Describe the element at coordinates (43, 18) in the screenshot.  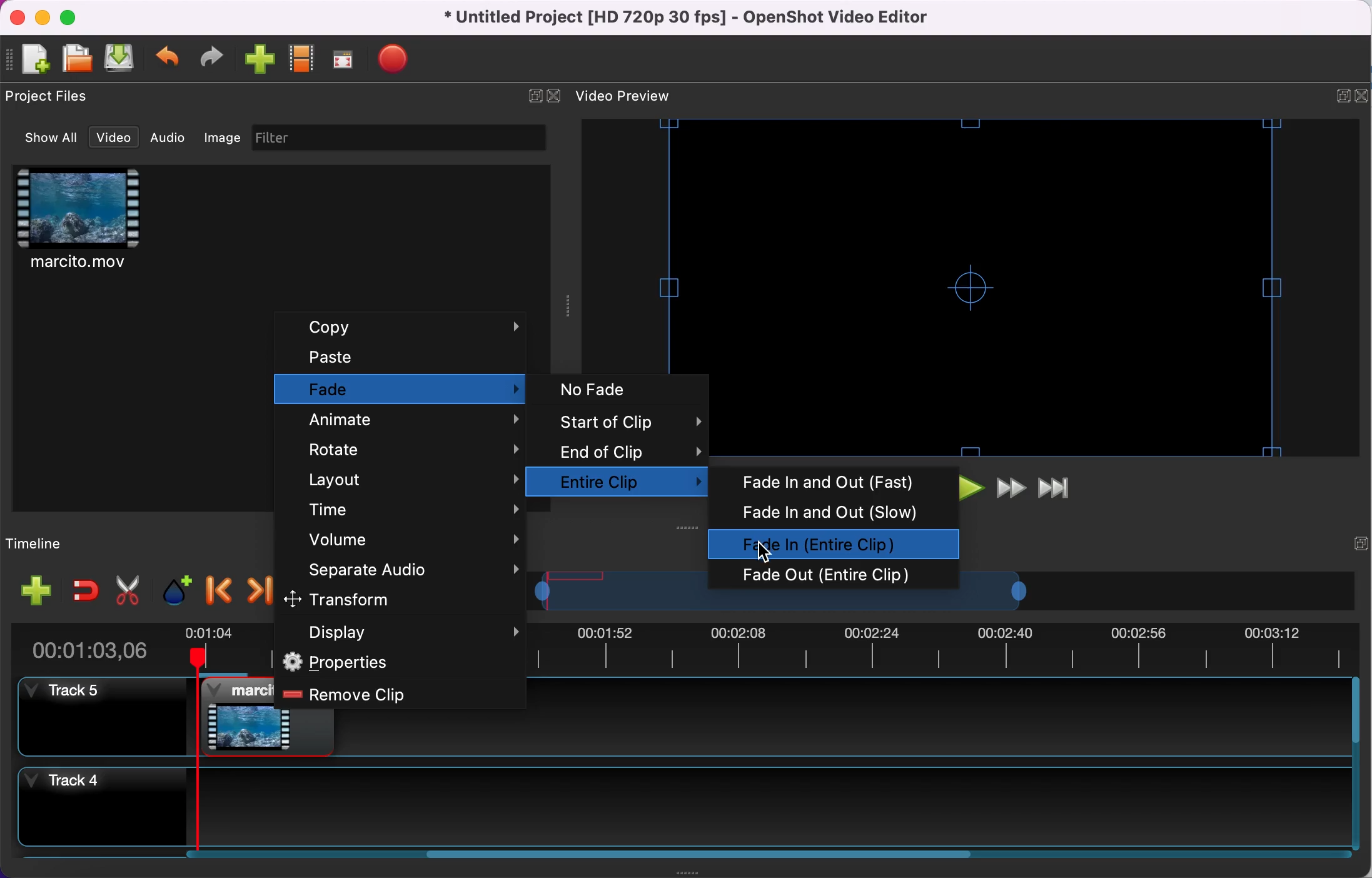
I see `minimize` at that location.